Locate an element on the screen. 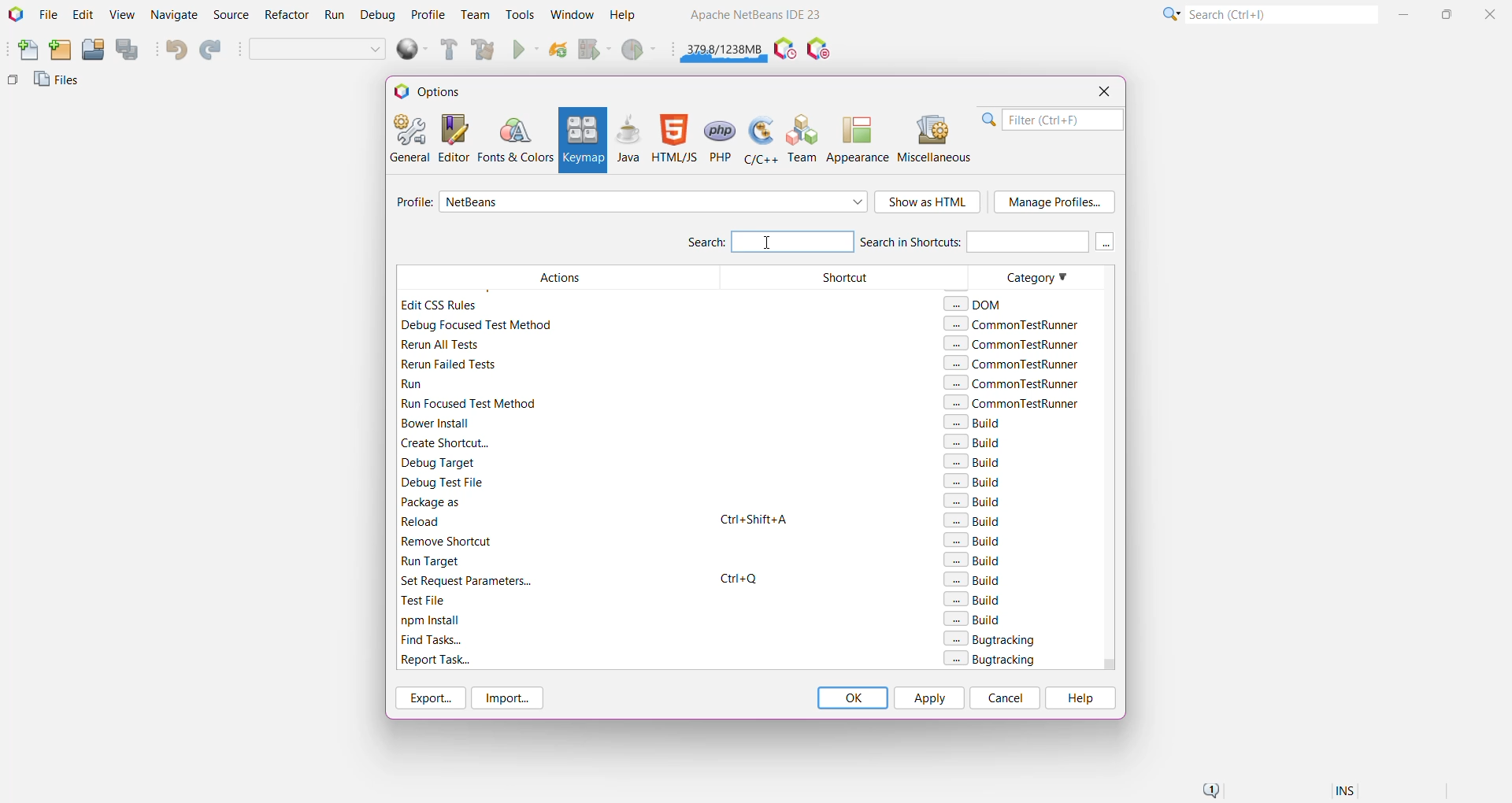 The width and height of the screenshot is (1512, 803). Redo is located at coordinates (213, 50).